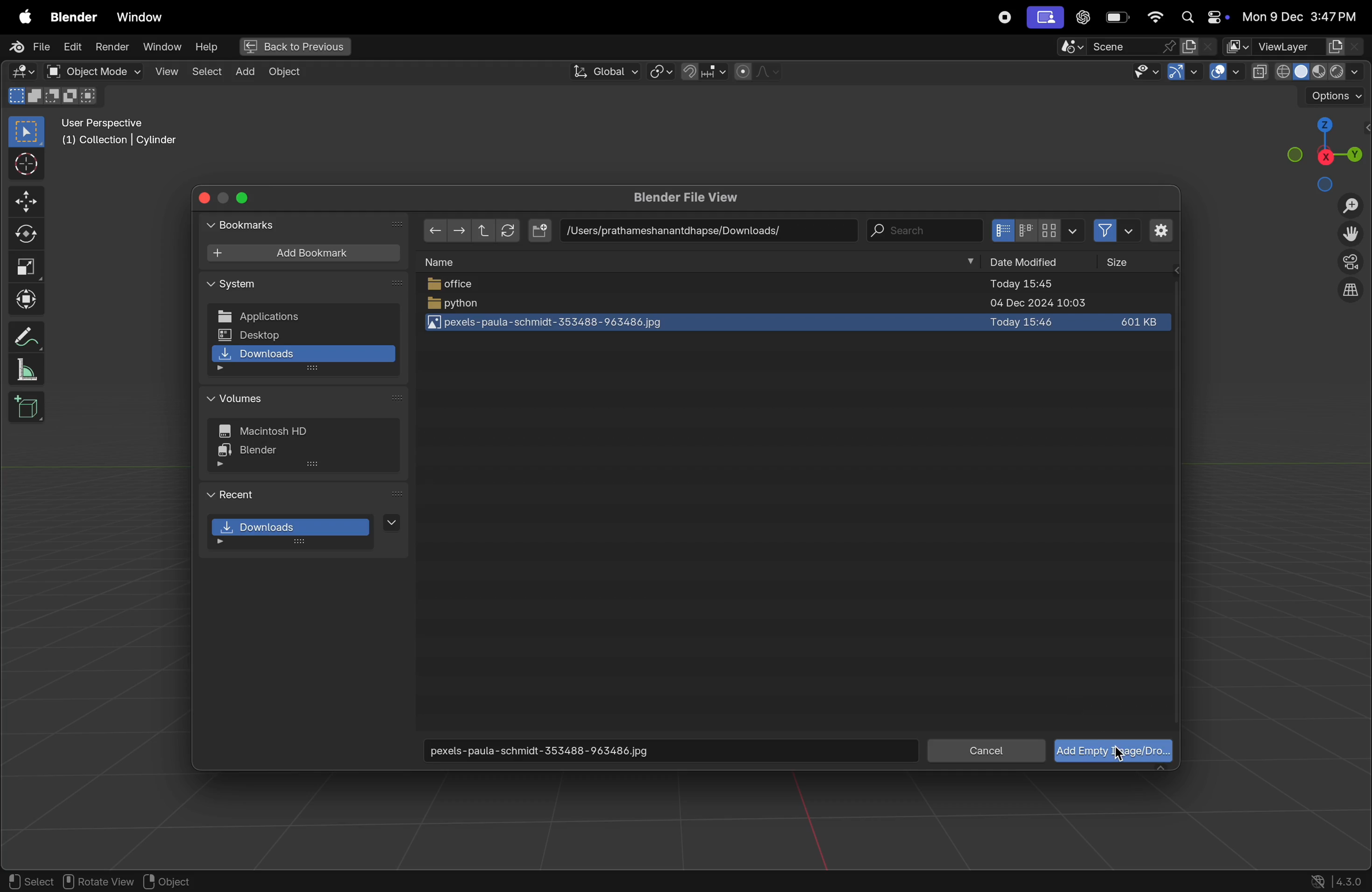 The height and width of the screenshot is (892, 1372). What do you see at coordinates (302, 315) in the screenshot?
I see `applications` at bounding box center [302, 315].